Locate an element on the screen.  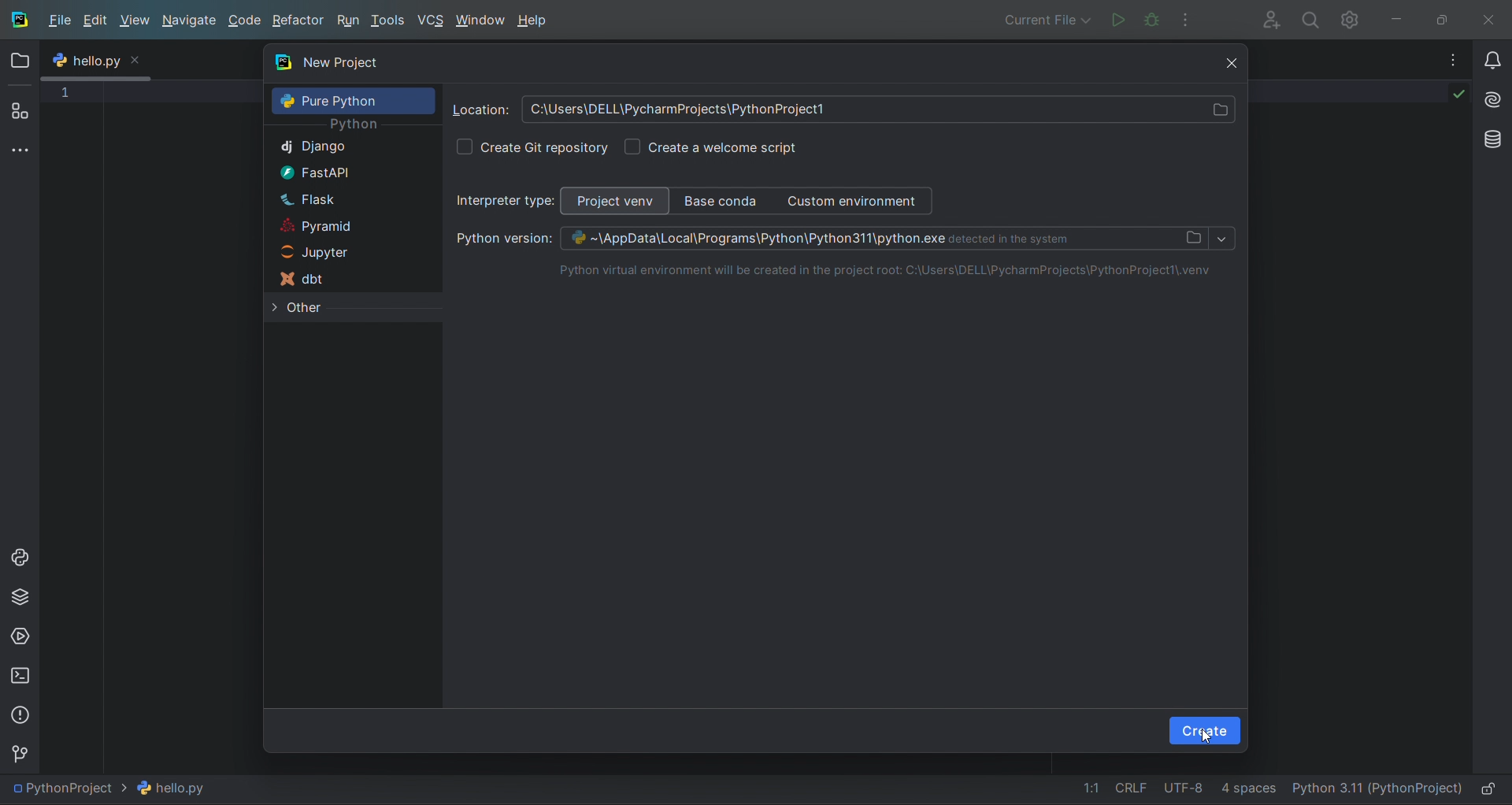
Python virtual environment will be created in the project root: C:\Users\DELL\PycharmProjects\PythonProjectl\.venv is located at coordinates (874, 271).